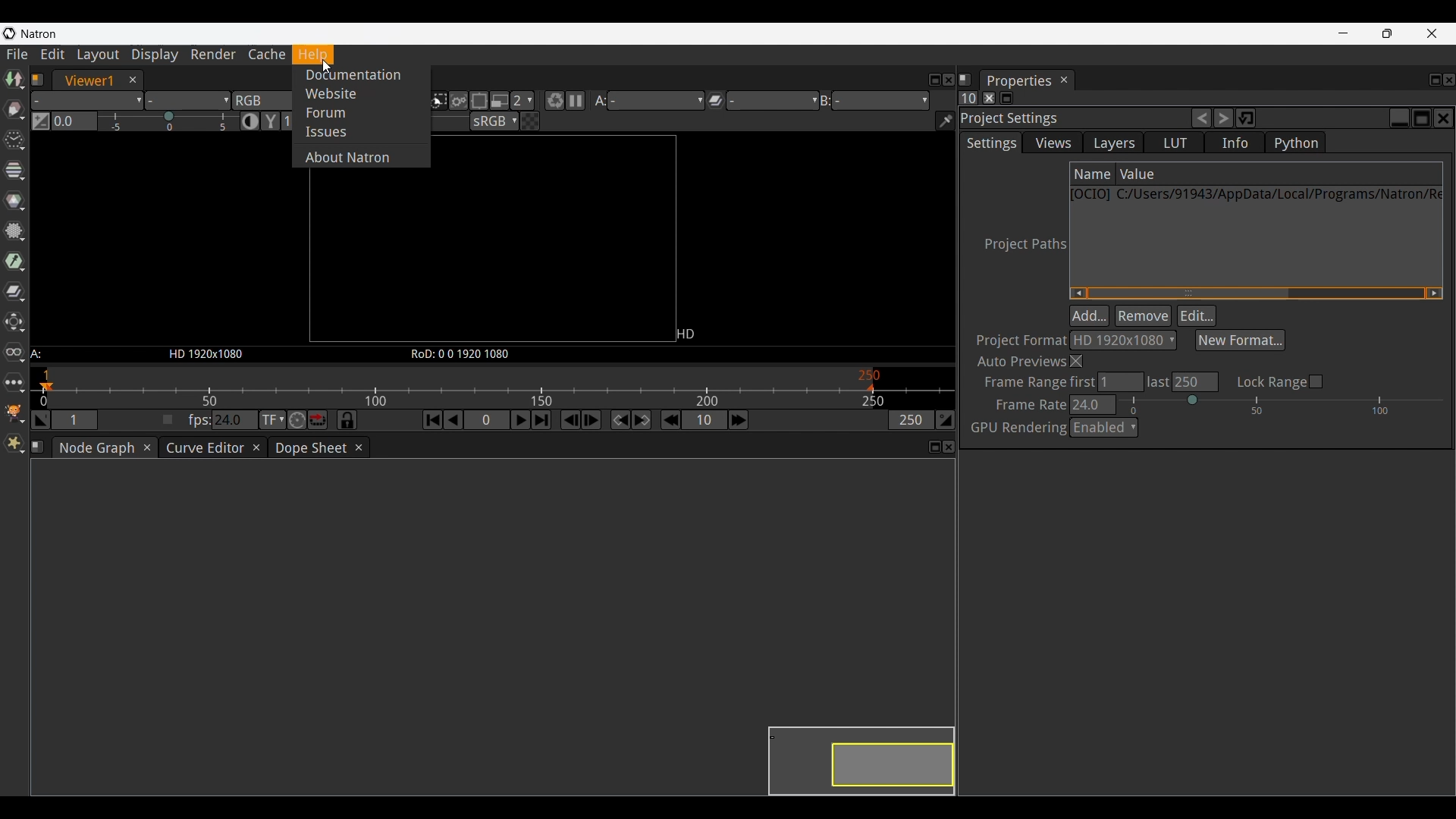 This screenshot has width=1456, height=819. What do you see at coordinates (1436, 80) in the screenshot?
I see `Float properties panel` at bounding box center [1436, 80].